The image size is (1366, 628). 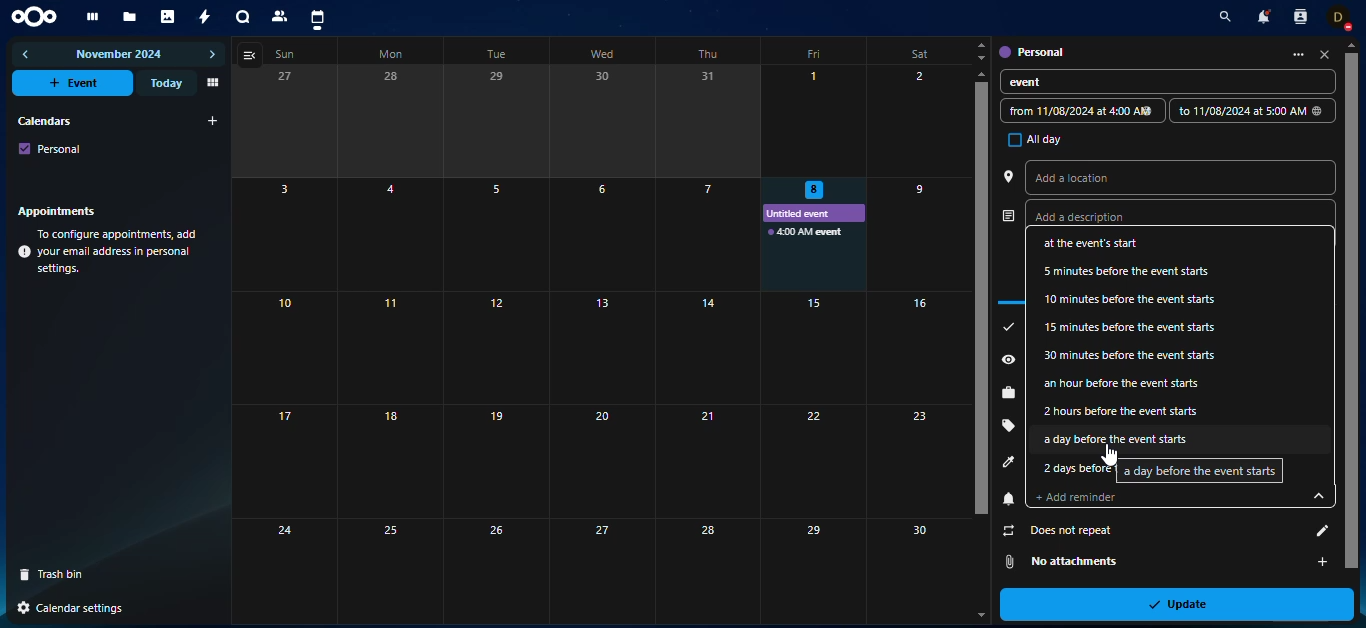 I want to click on confirm, so click(x=1007, y=327).